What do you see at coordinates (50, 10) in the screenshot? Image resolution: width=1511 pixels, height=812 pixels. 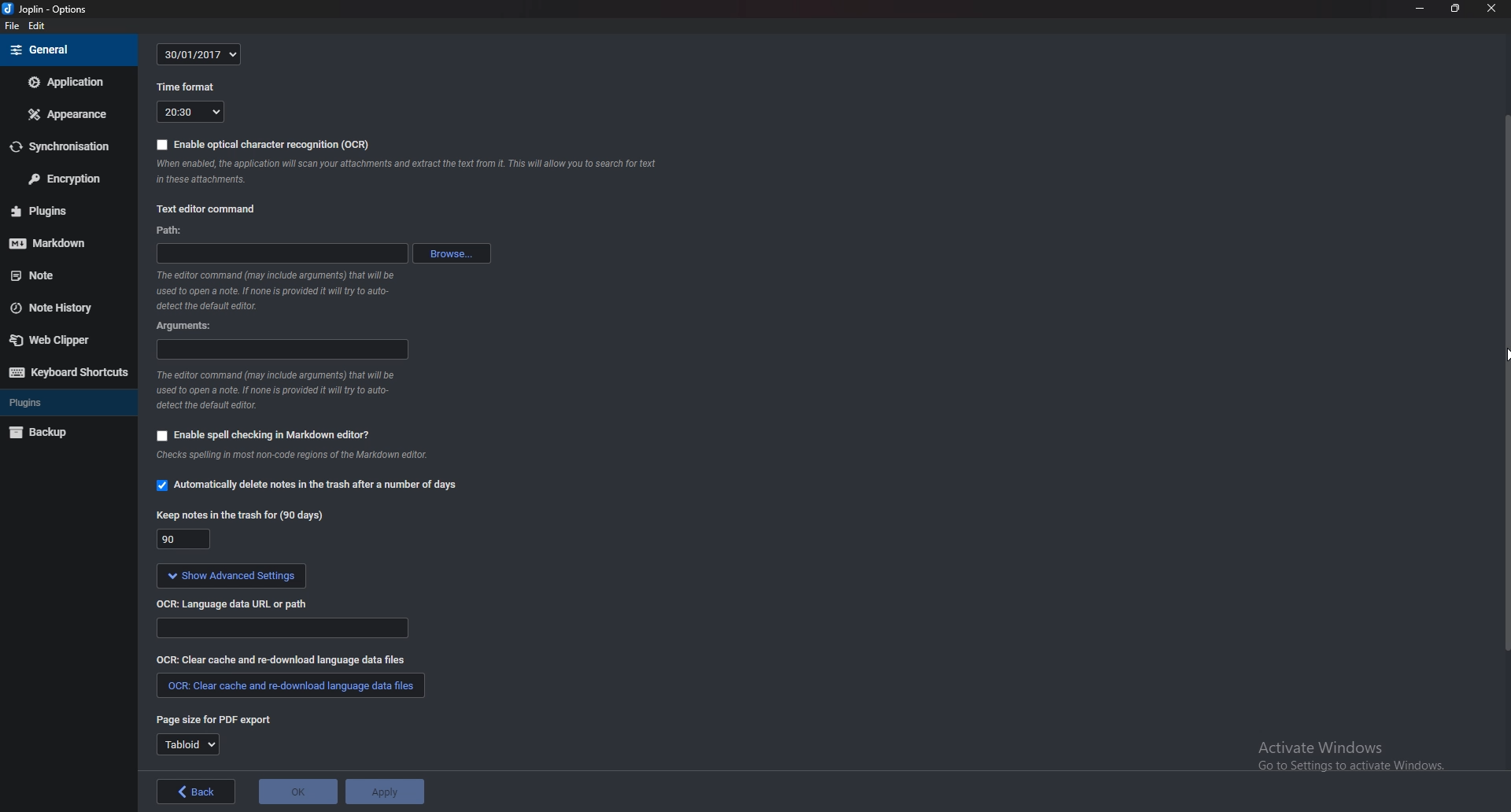 I see `joplin - options` at bounding box center [50, 10].